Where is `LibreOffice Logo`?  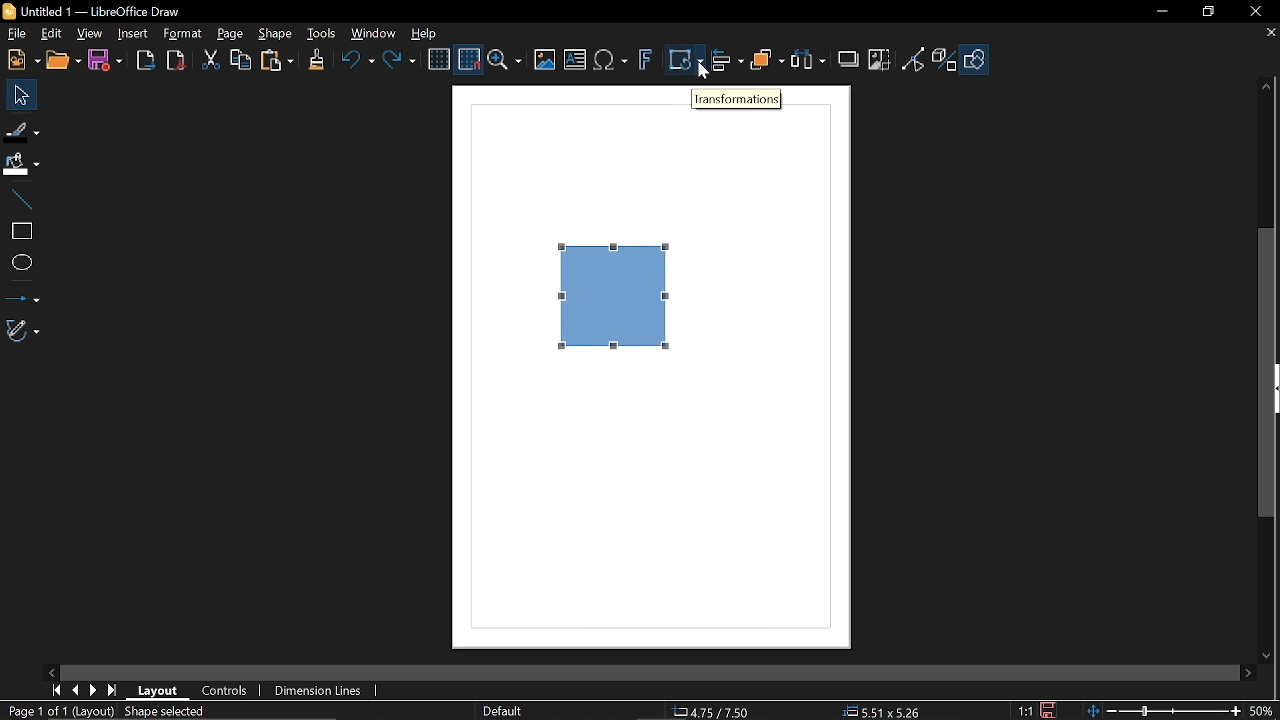
LibreOffice Logo is located at coordinates (9, 12).